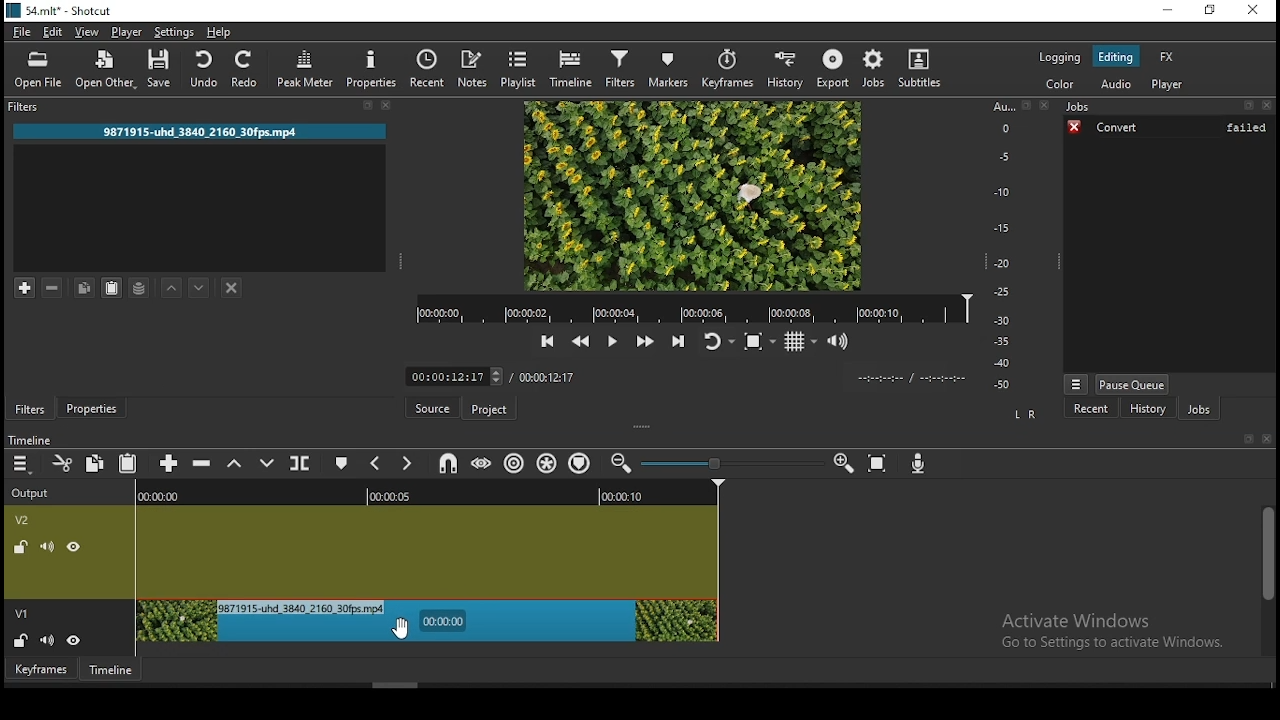  Describe the element at coordinates (174, 33) in the screenshot. I see `settings` at that location.